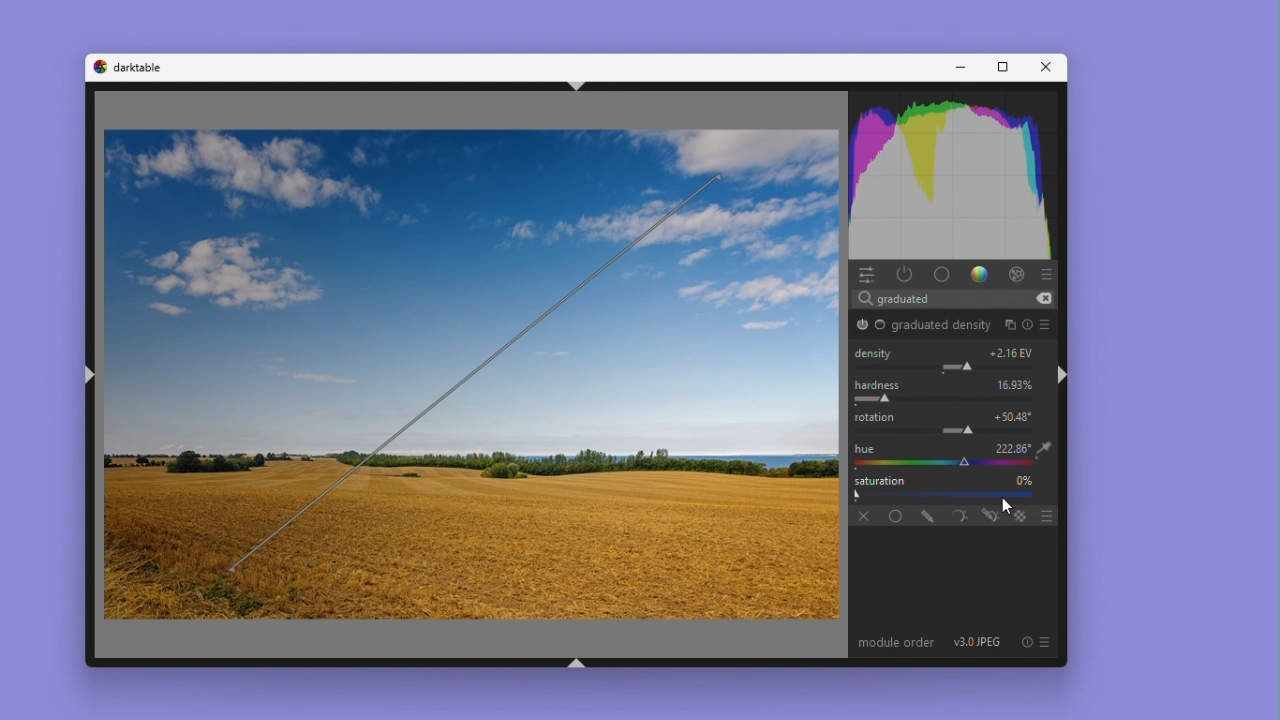 This screenshot has width=1280, height=720. I want to click on Hardness, so click(876, 383).